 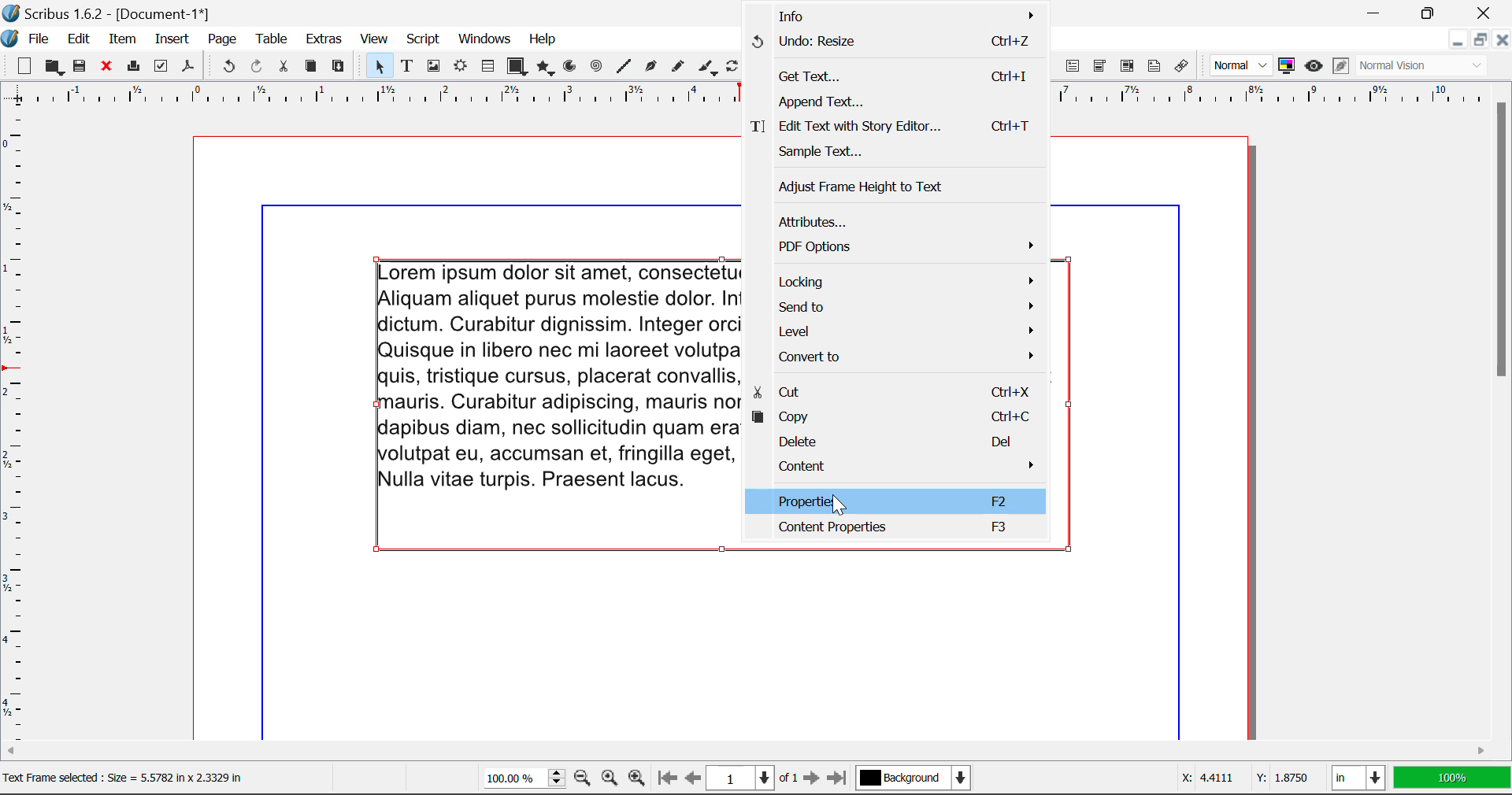 I want to click on Tables, so click(x=487, y=68).